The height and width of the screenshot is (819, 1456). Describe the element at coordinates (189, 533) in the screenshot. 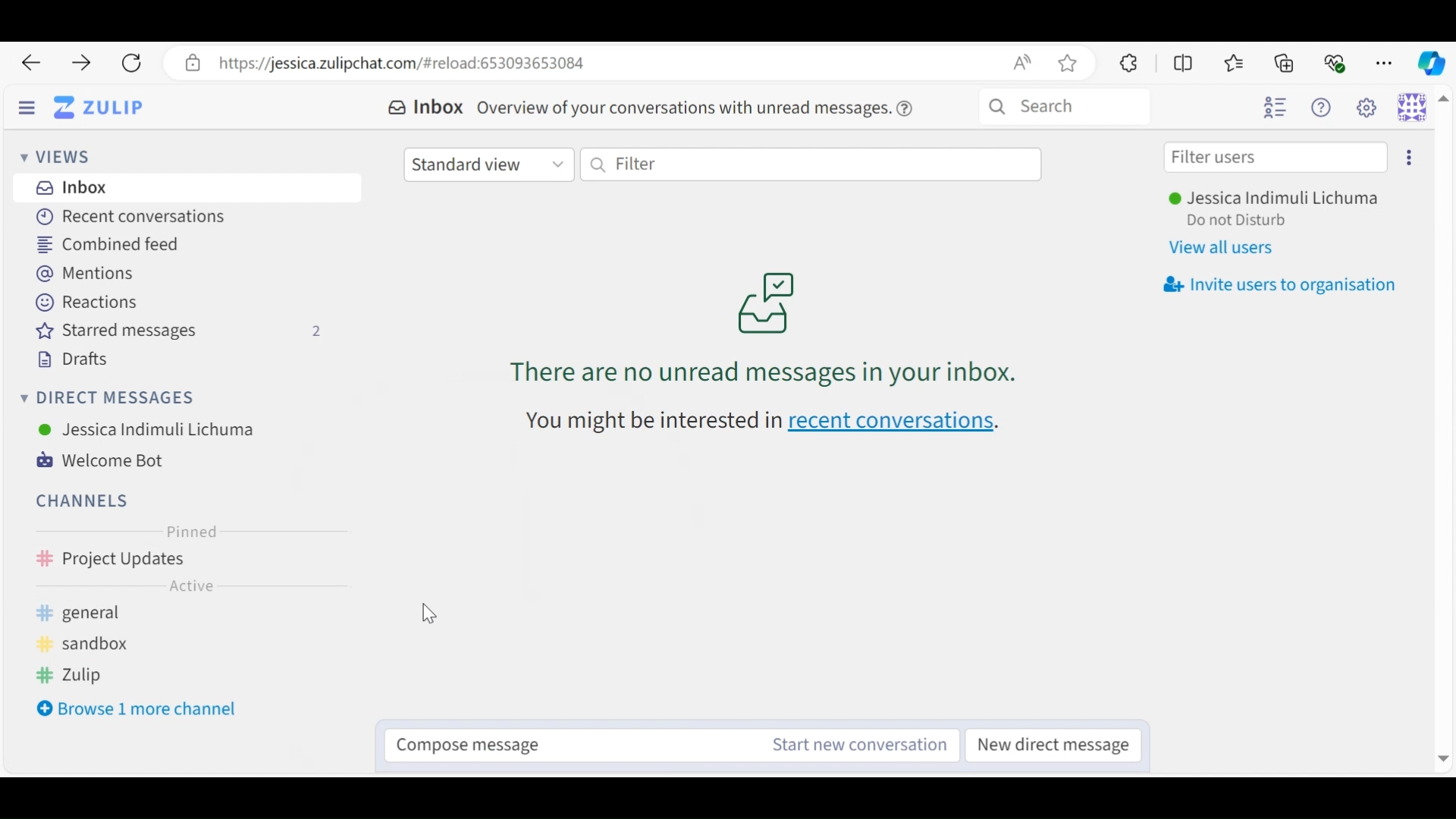

I see `Pinned` at that location.